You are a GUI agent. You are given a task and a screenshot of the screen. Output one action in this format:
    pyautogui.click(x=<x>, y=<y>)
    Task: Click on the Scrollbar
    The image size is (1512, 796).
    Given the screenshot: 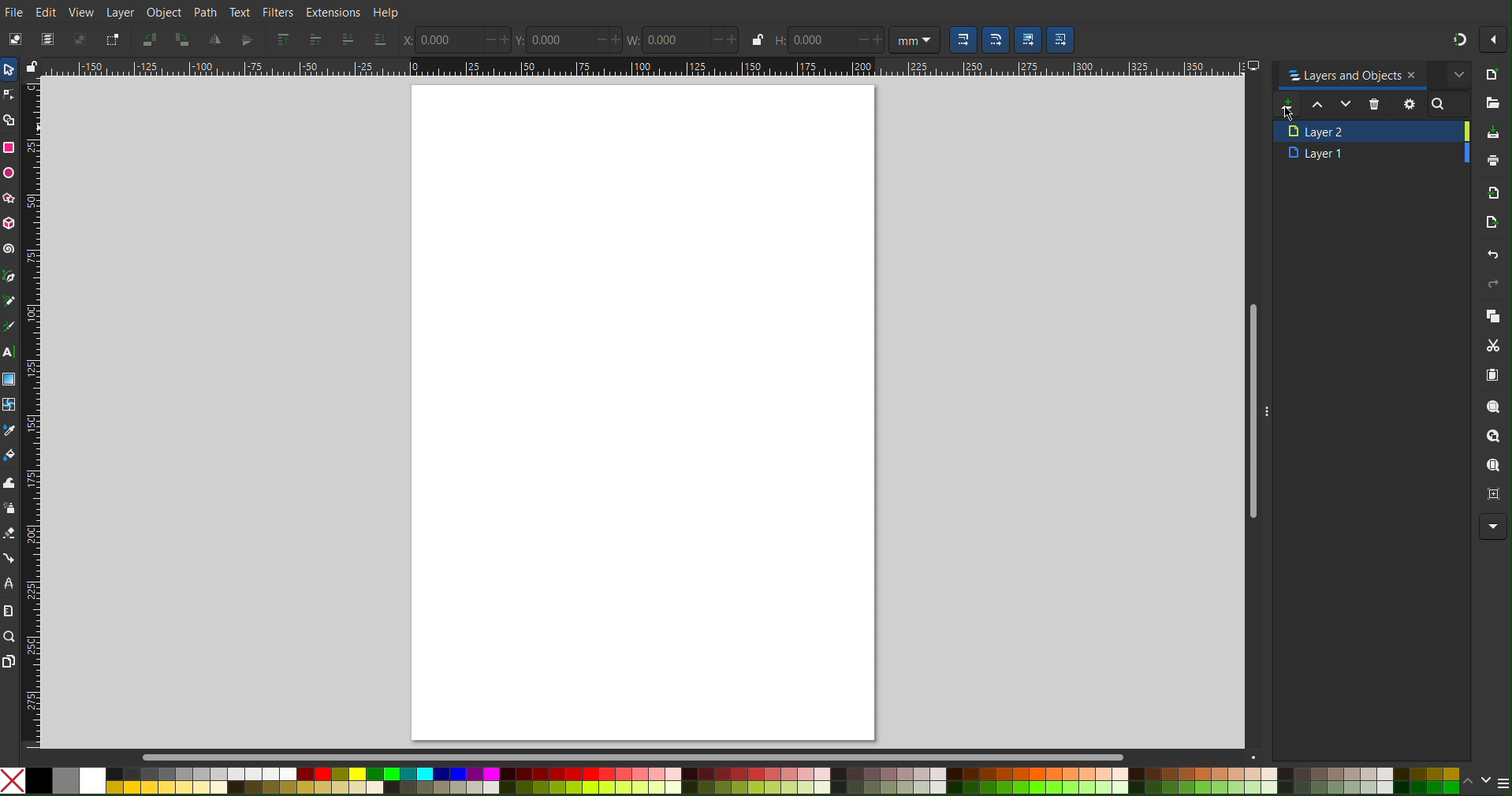 What is the action you would take?
    pyautogui.click(x=1249, y=411)
    